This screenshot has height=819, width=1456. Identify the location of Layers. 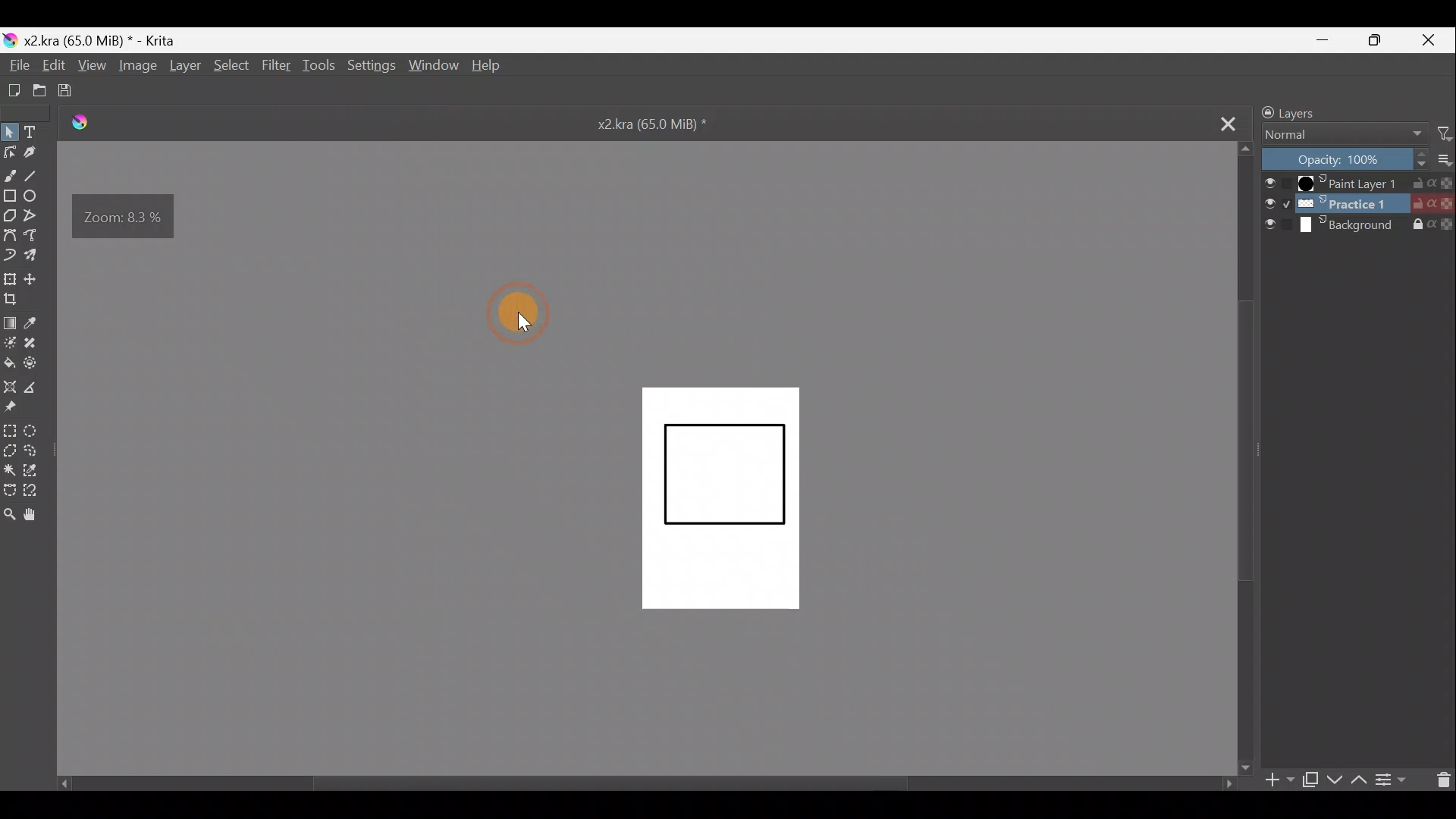
(1325, 111).